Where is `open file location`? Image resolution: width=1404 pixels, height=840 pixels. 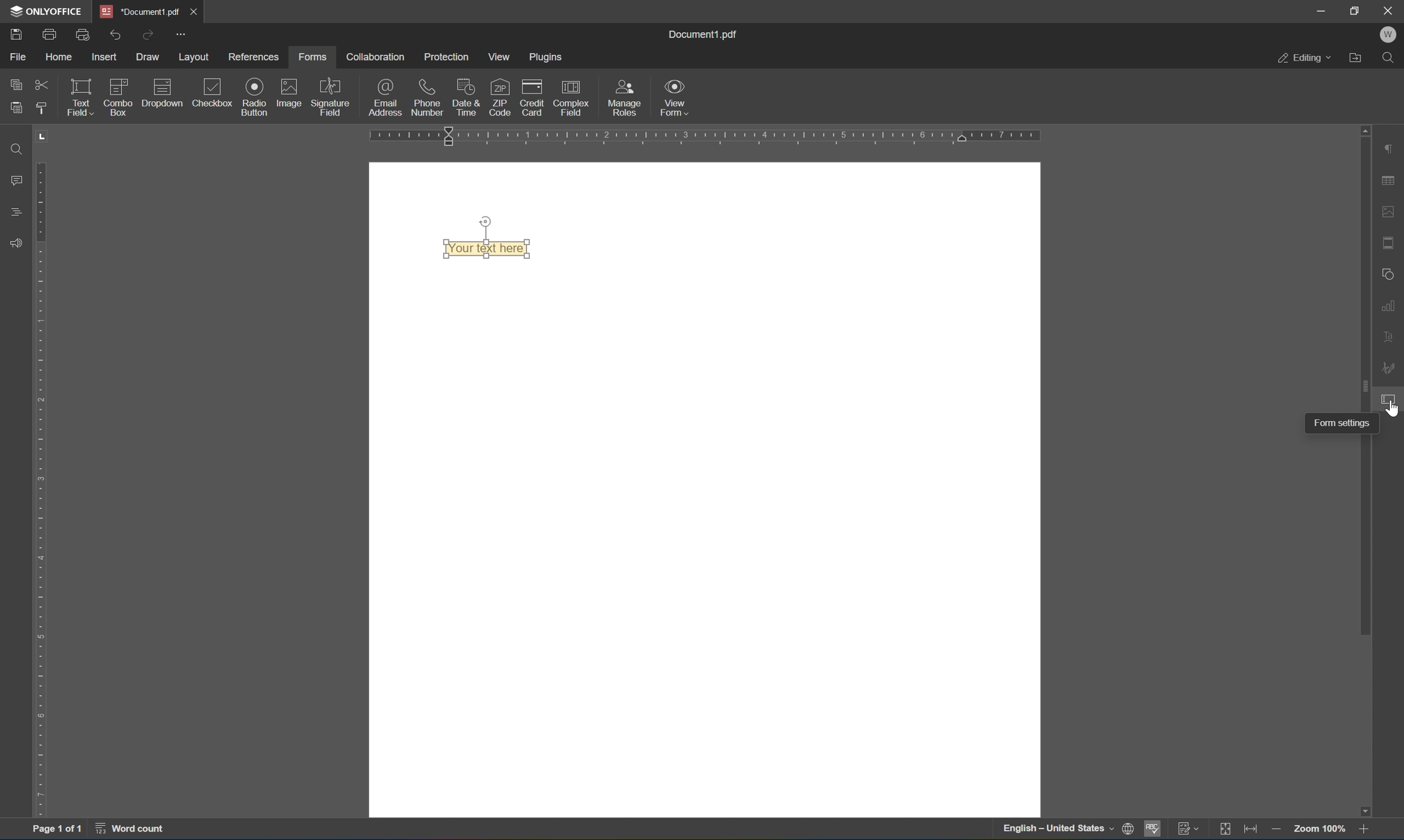 open file location is located at coordinates (1356, 59).